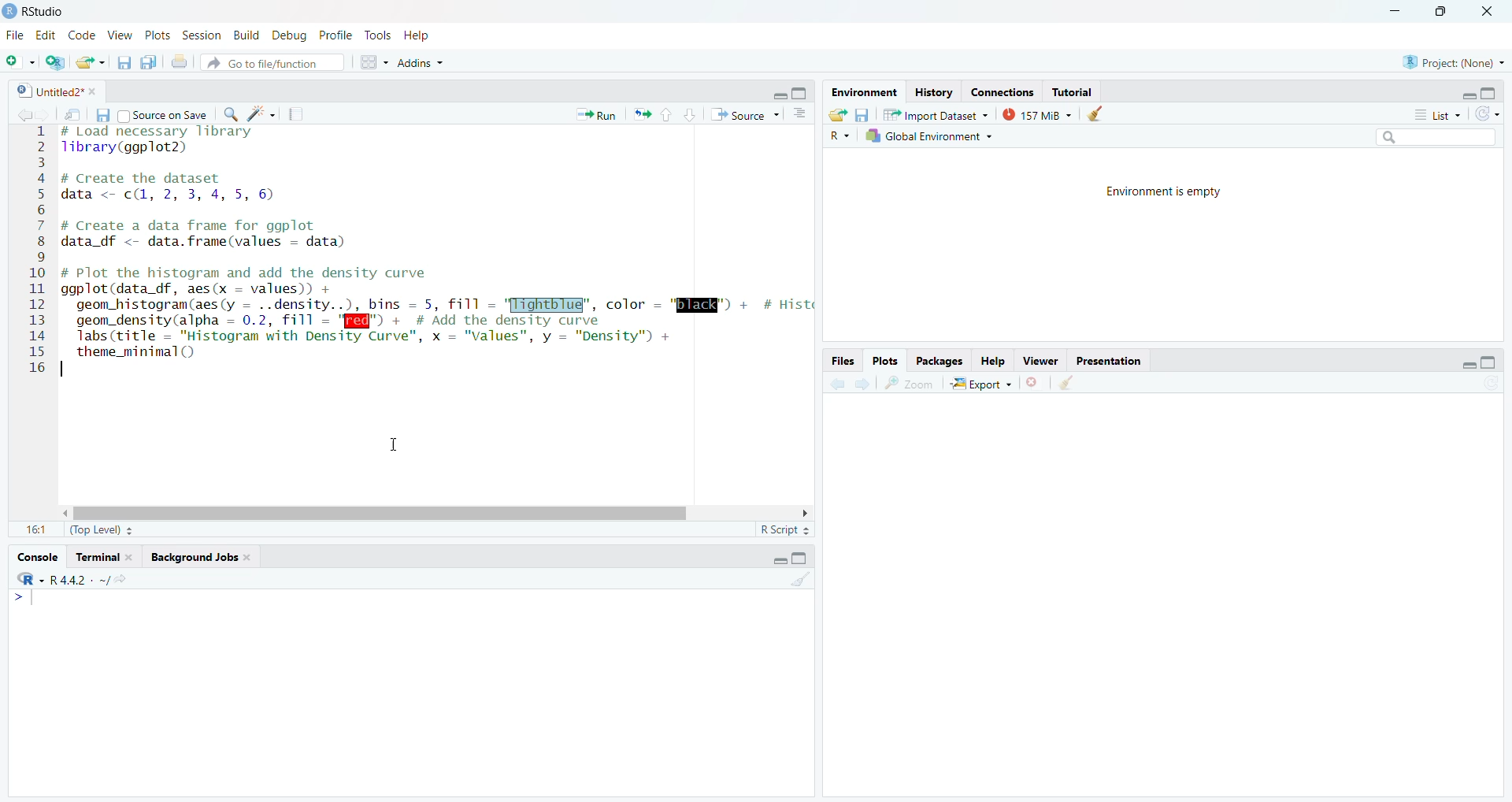 This screenshot has height=802, width=1512. I want to click on save current document, so click(102, 113).